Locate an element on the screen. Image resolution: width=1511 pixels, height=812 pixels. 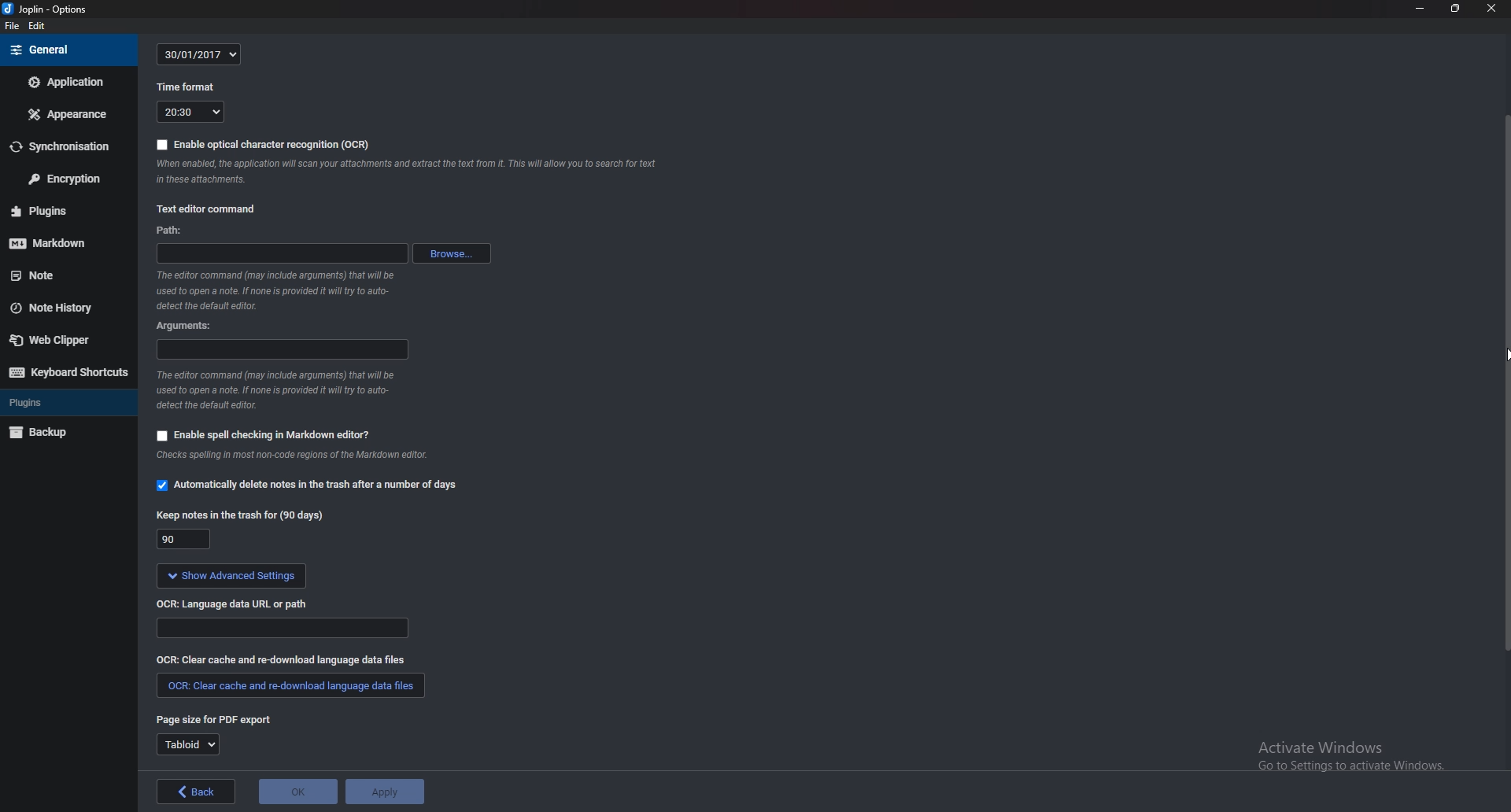
text editor command is located at coordinates (205, 206).